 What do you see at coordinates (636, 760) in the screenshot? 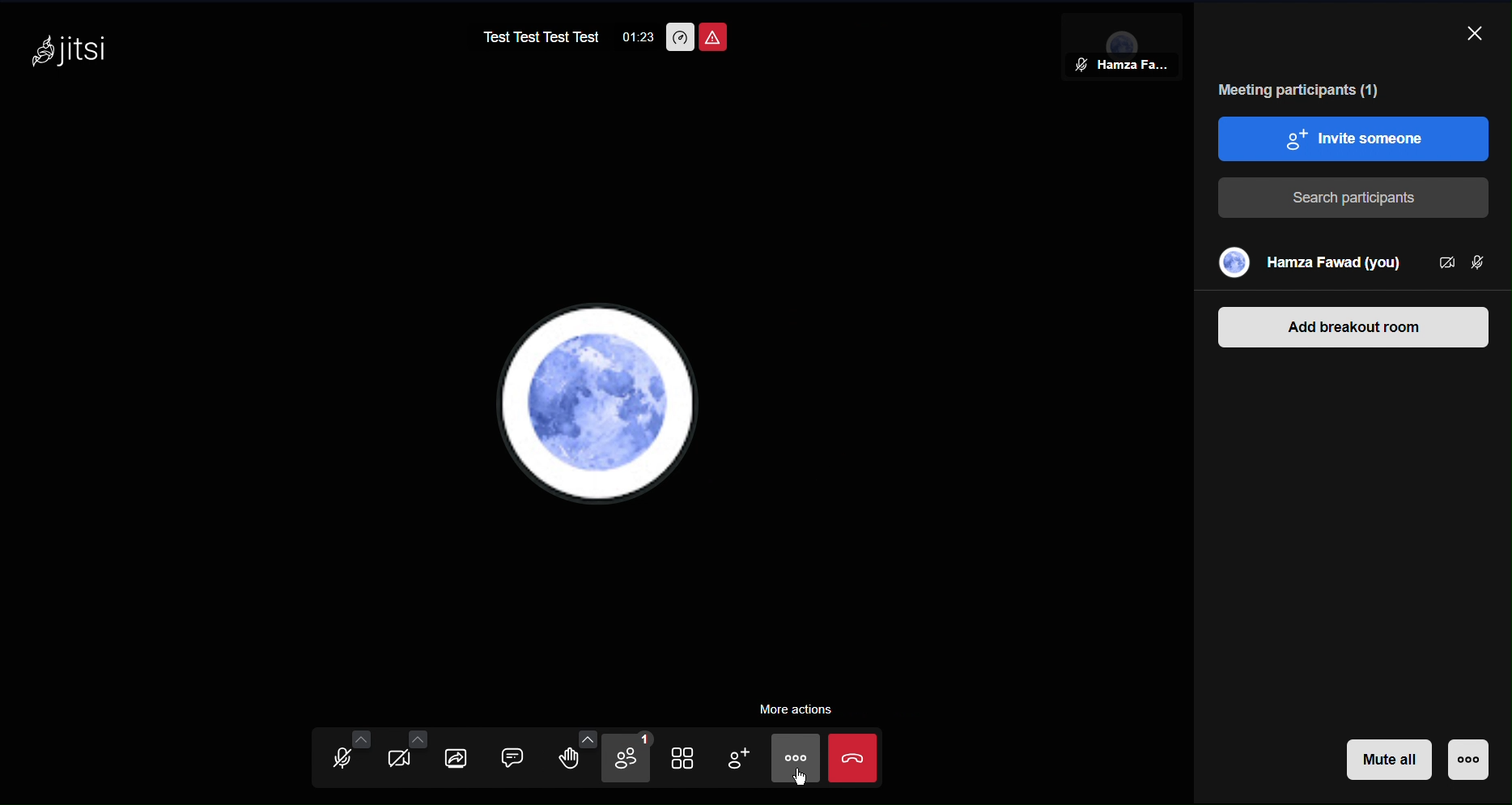
I see `Participants` at bounding box center [636, 760].